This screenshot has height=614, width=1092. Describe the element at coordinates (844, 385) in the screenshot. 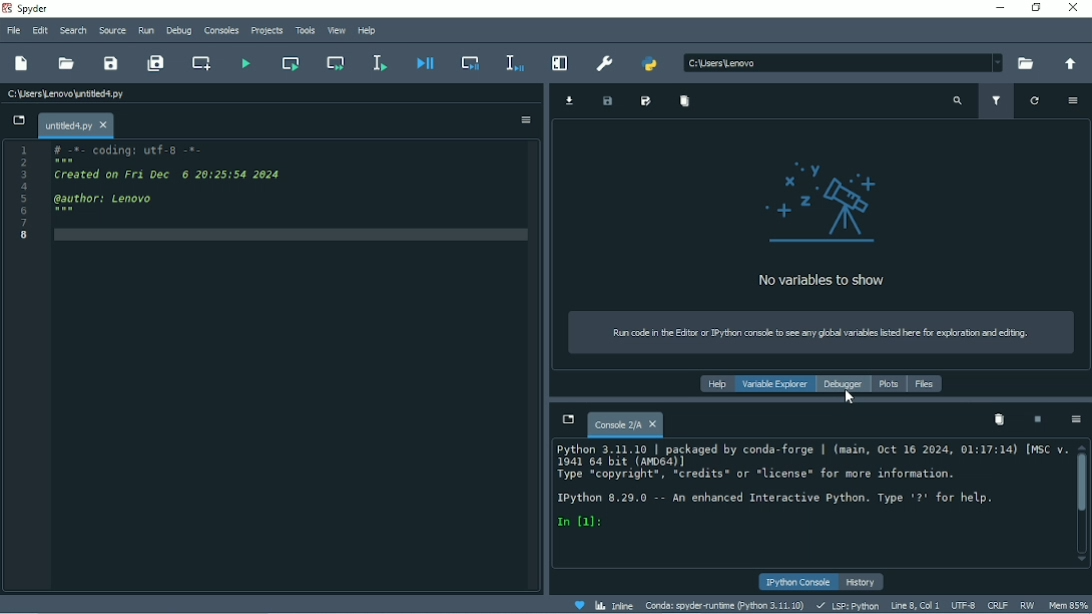

I see `Debugger` at that location.